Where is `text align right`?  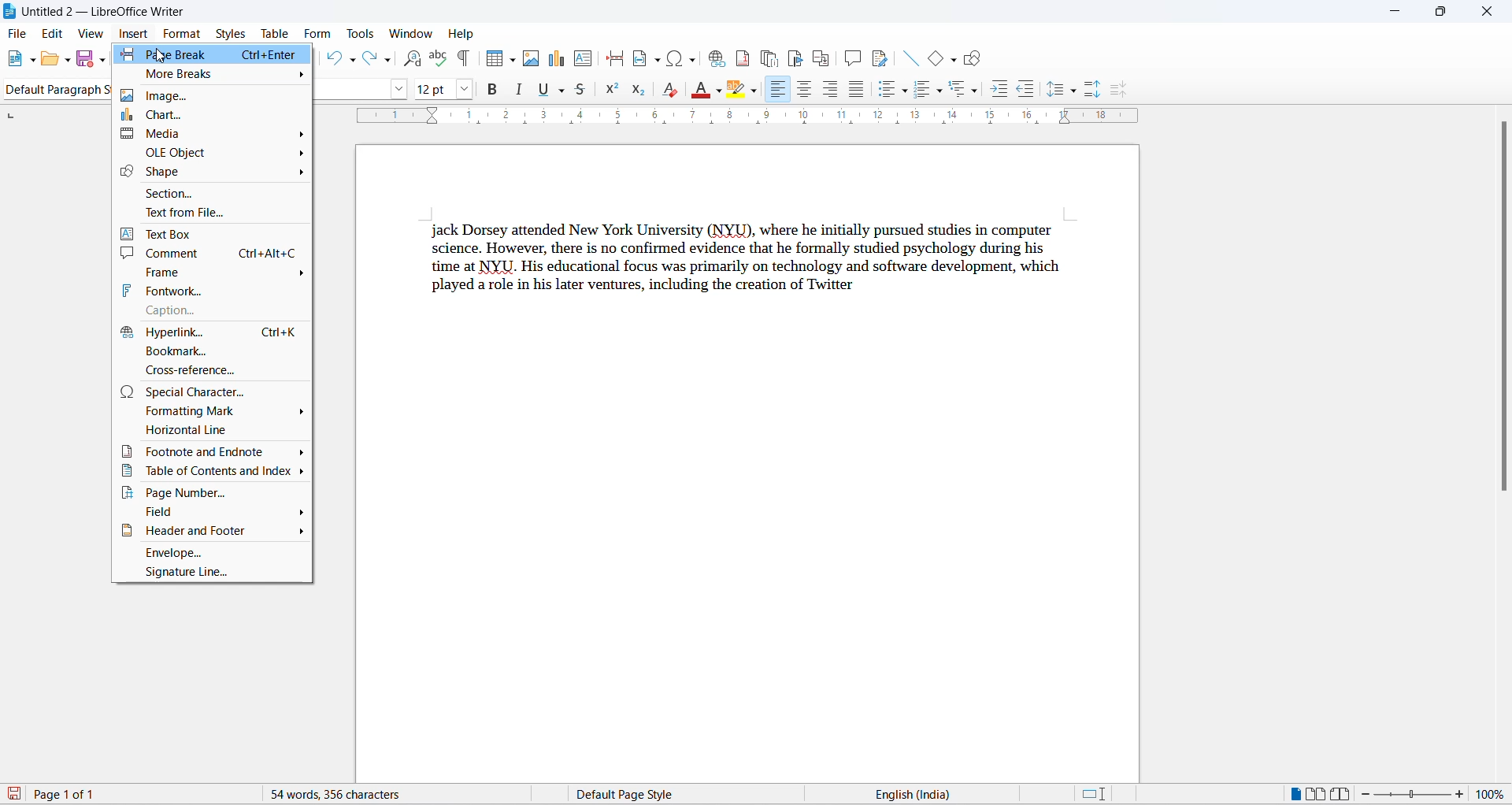
text align right is located at coordinates (827, 88).